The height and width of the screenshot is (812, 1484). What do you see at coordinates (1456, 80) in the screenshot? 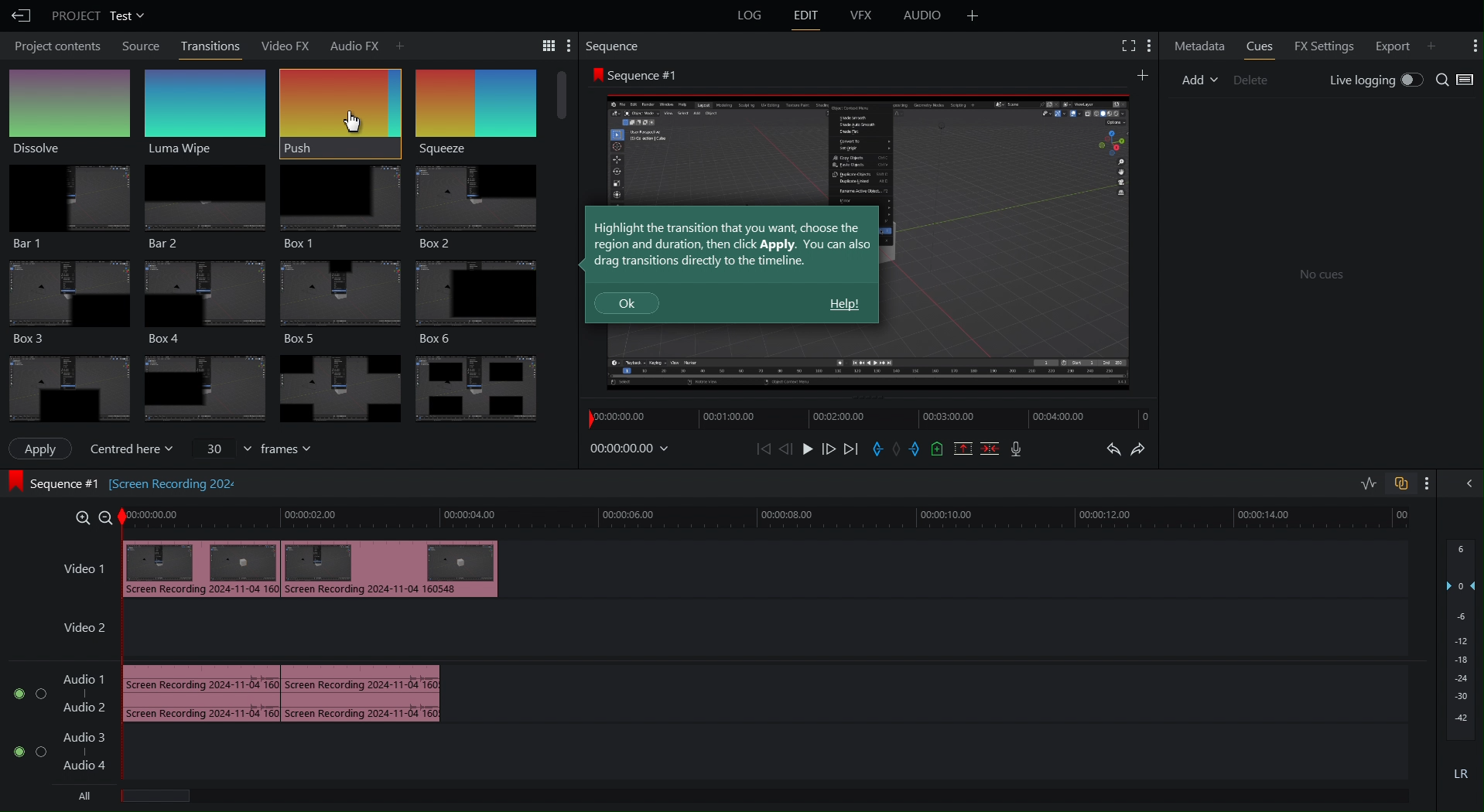
I see `Search` at bounding box center [1456, 80].